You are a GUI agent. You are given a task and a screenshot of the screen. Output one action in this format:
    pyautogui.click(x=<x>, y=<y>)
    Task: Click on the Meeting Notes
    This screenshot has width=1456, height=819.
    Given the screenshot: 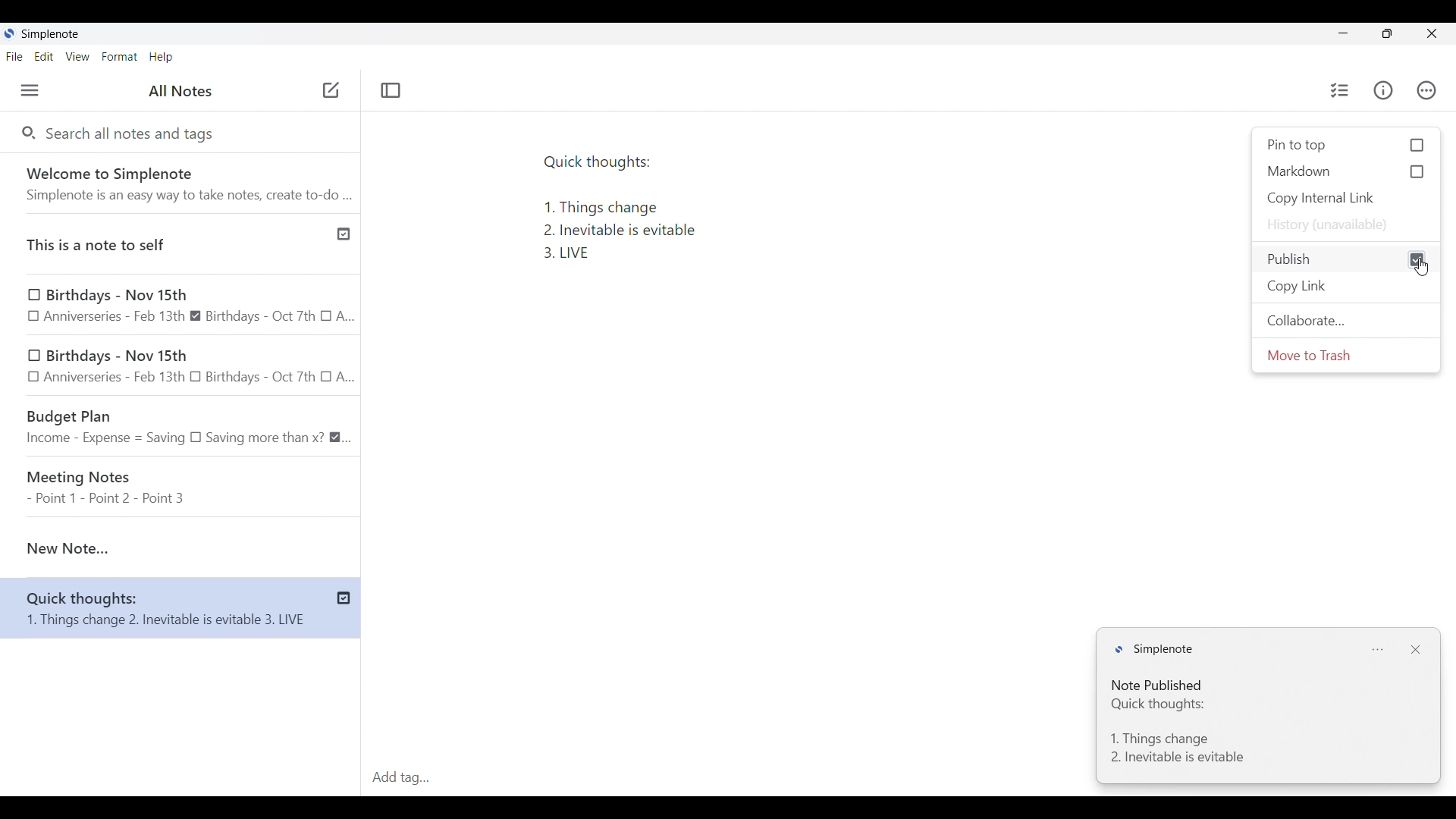 What is the action you would take?
    pyautogui.click(x=182, y=482)
    